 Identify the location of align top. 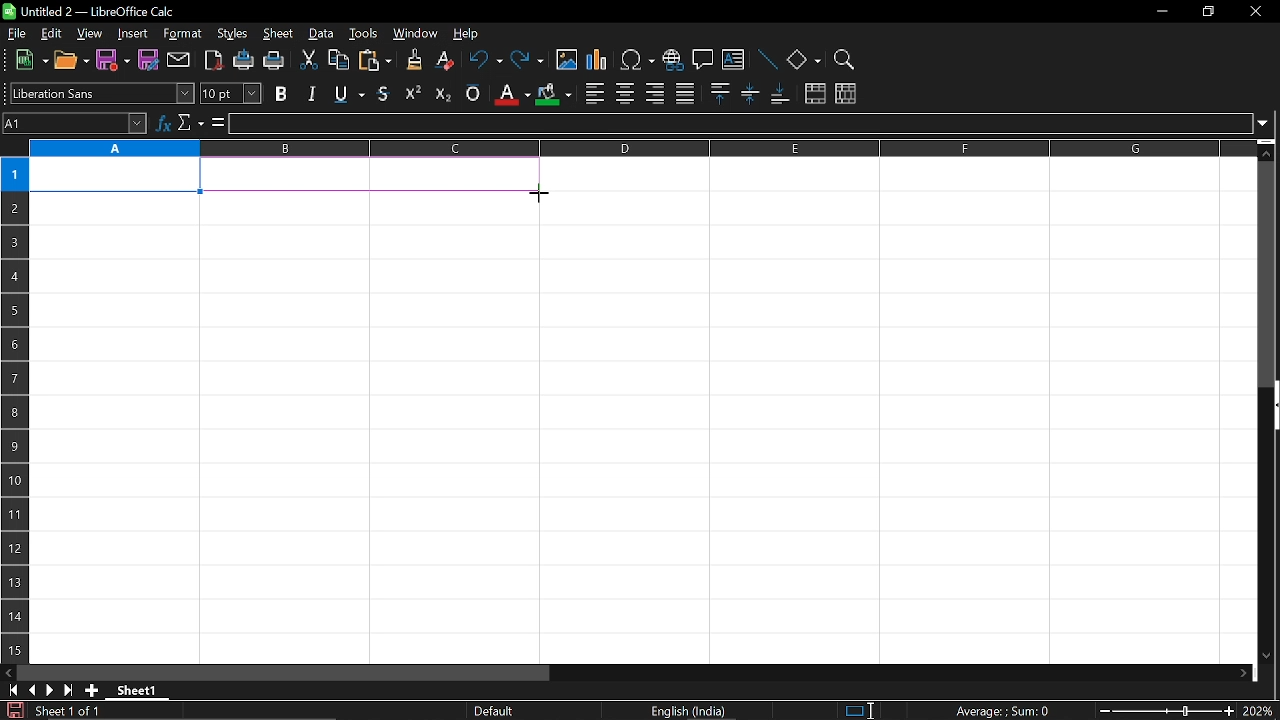
(719, 94).